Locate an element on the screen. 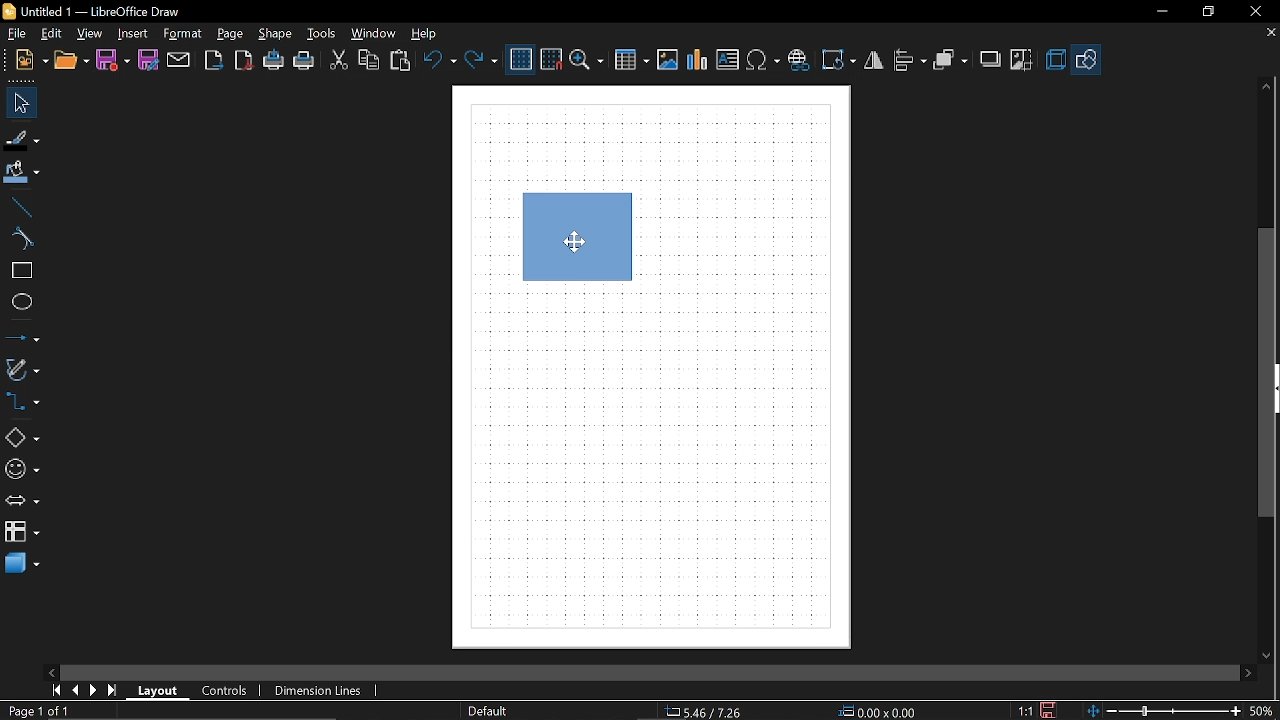 This screenshot has width=1280, height=720. Curve is located at coordinates (19, 240).